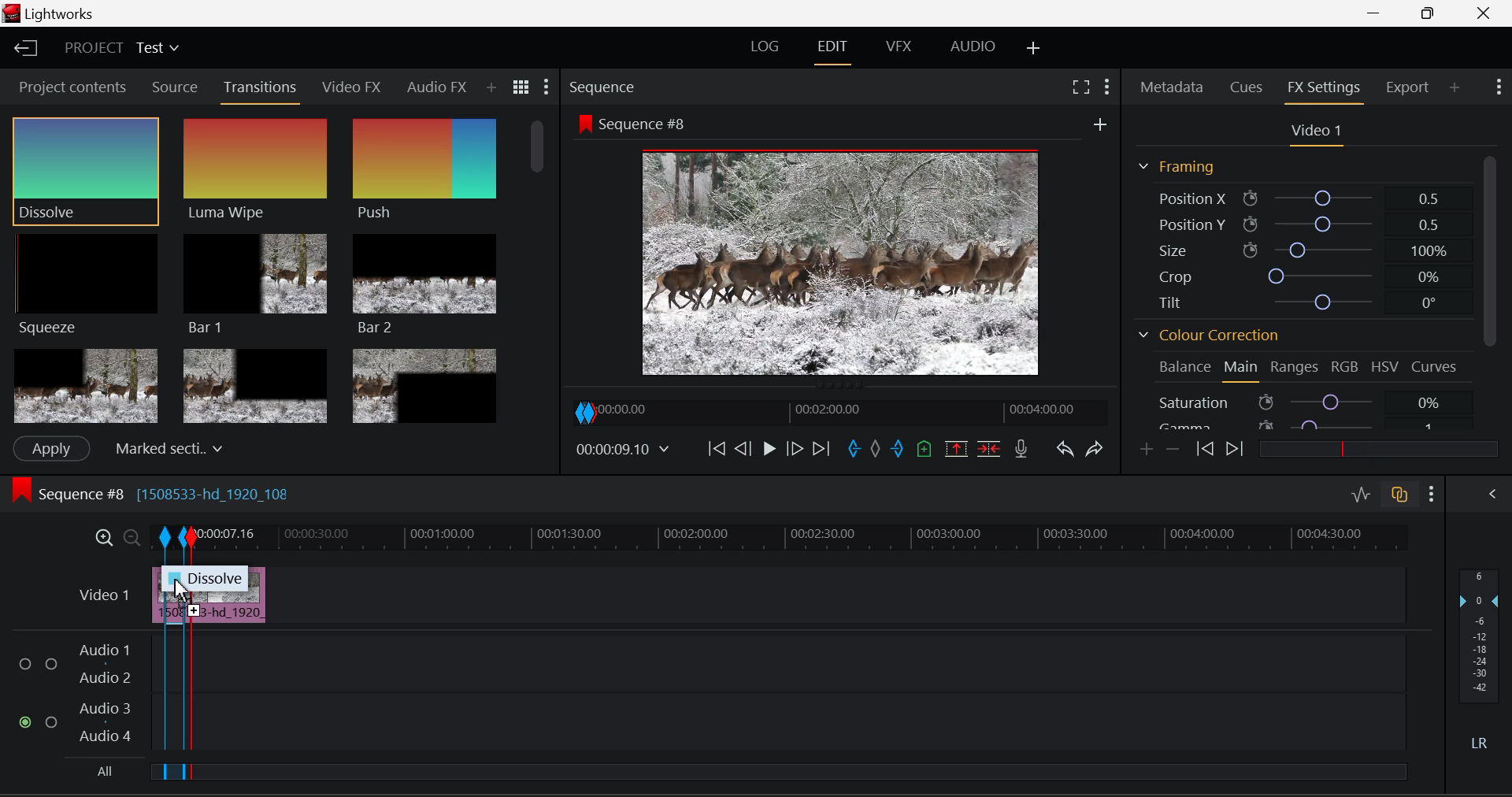 This screenshot has height=797, width=1512. I want to click on Audio 1, so click(106, 651).